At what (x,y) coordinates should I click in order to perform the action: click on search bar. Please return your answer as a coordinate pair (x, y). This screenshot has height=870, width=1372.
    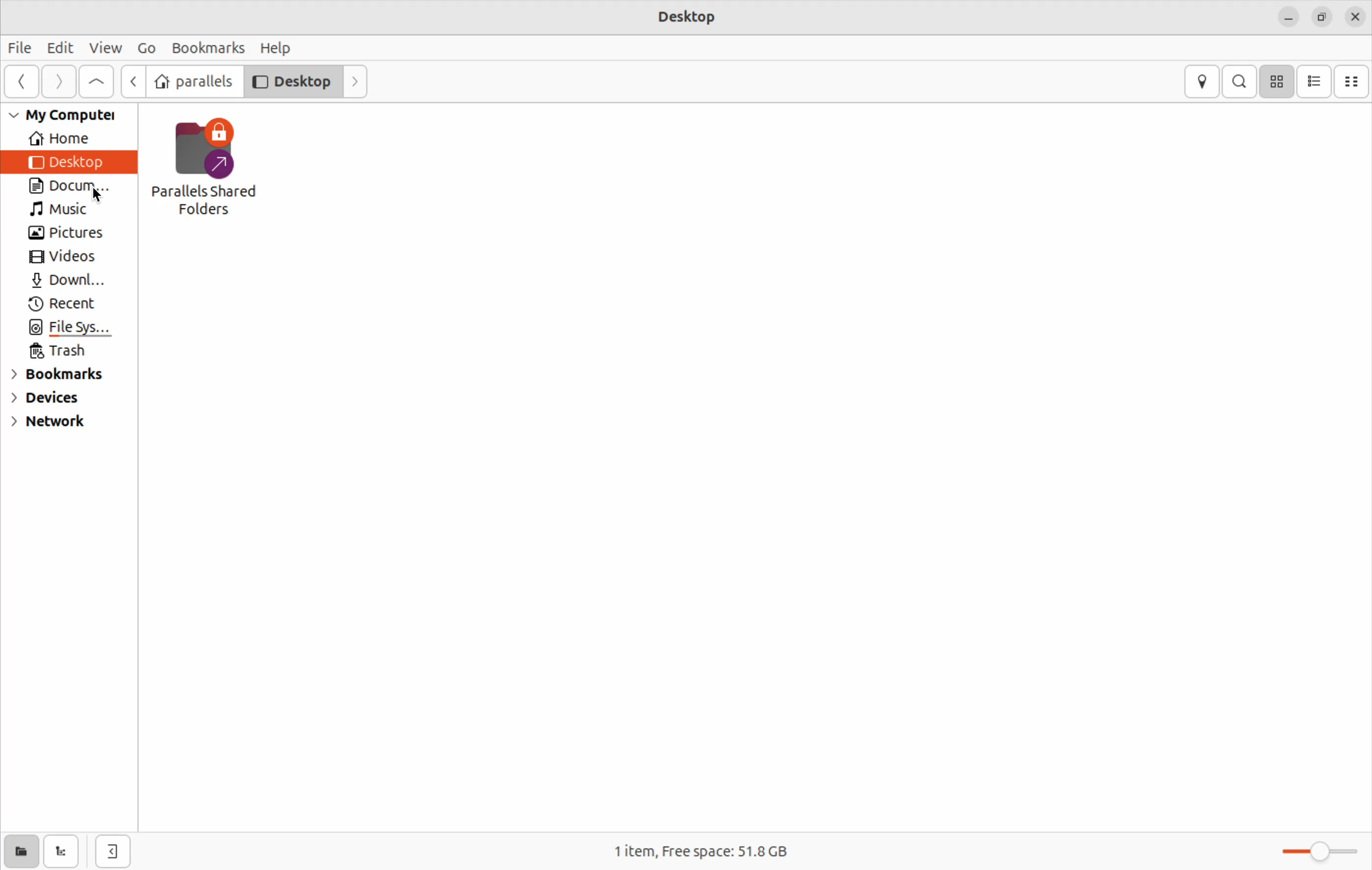
    Looking at the image, I should click on (1241, 80).